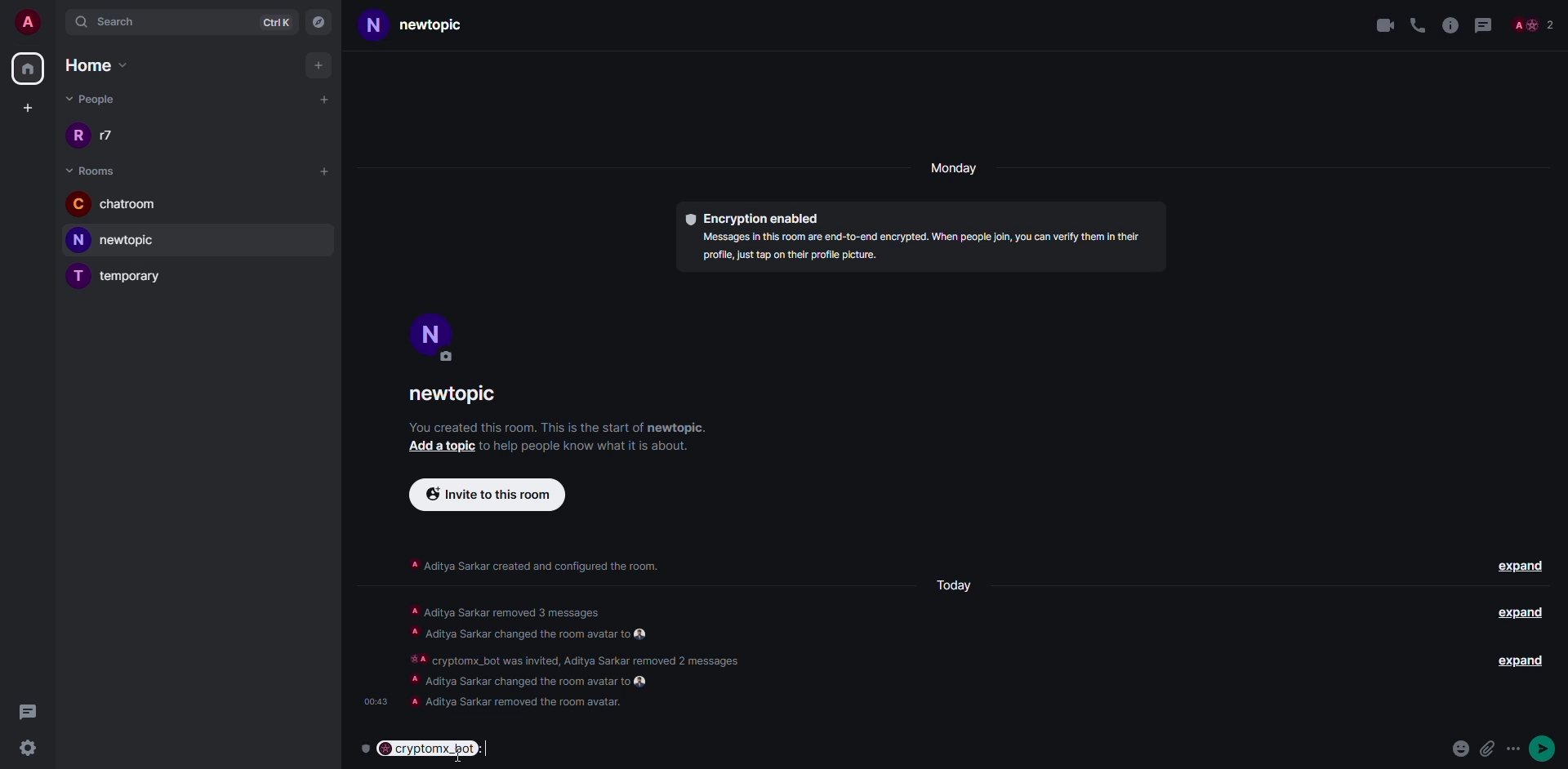 The width and height of the screenshot is (1568, 769). Describe the element at coordinates (276, 20) in the screenshot. I see `ctrlK` at that location.